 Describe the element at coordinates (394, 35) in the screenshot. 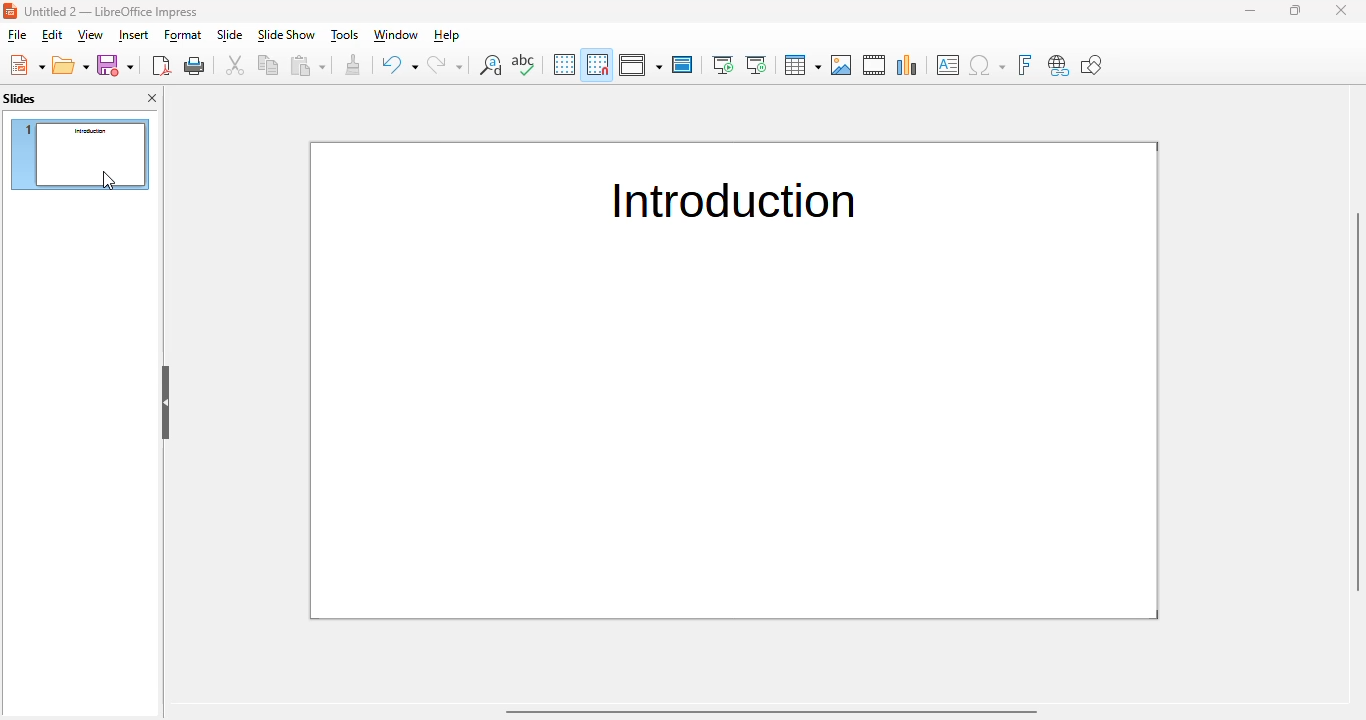

I see `window` at that location.